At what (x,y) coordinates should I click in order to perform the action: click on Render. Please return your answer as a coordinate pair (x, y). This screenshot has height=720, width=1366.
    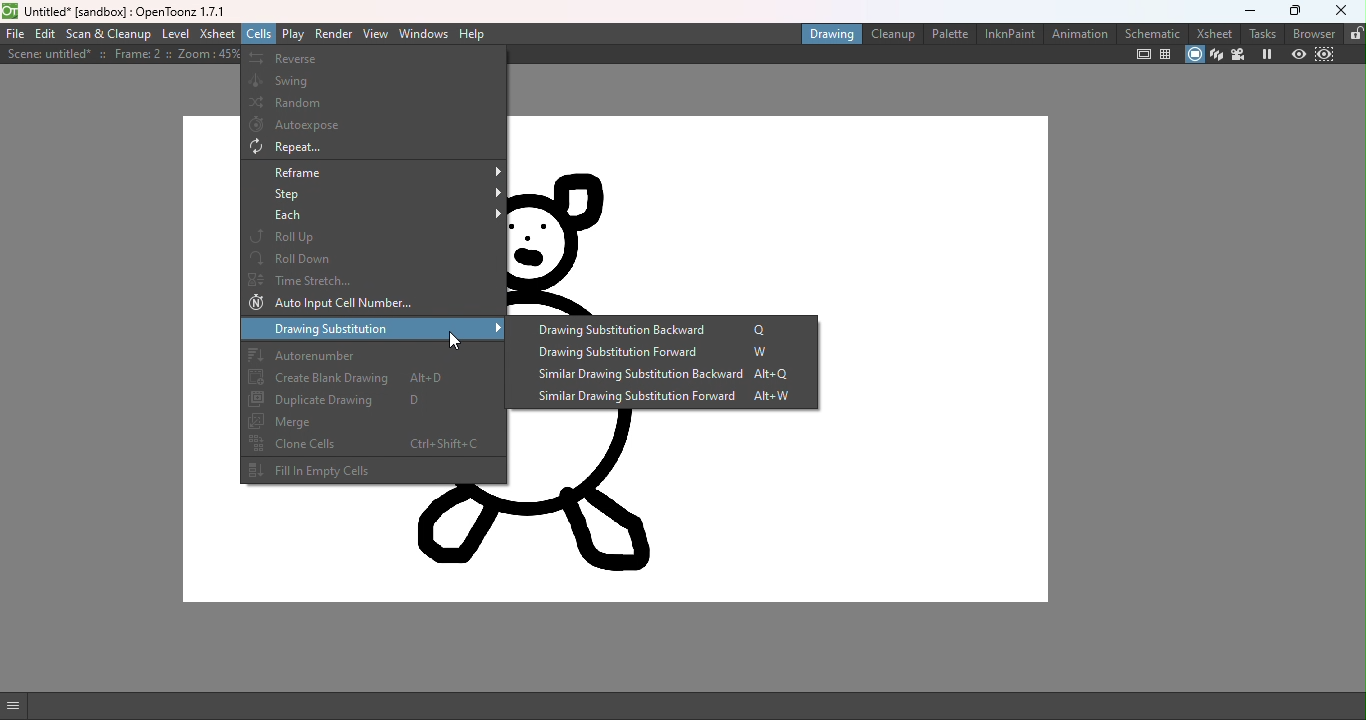
    Looking at the image, I should click on (333, 33).